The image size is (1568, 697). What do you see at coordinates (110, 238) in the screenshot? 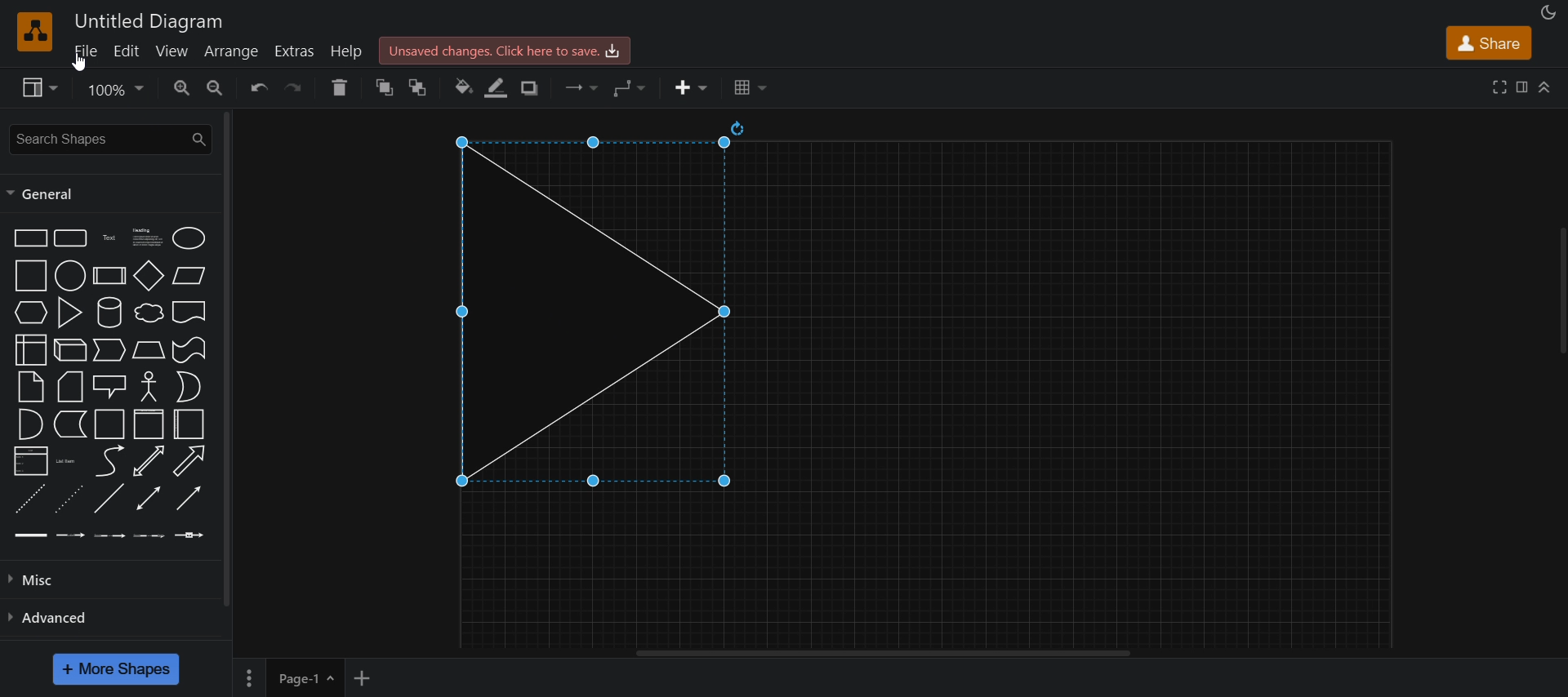
I see `text` at bounding box center [110, 238].